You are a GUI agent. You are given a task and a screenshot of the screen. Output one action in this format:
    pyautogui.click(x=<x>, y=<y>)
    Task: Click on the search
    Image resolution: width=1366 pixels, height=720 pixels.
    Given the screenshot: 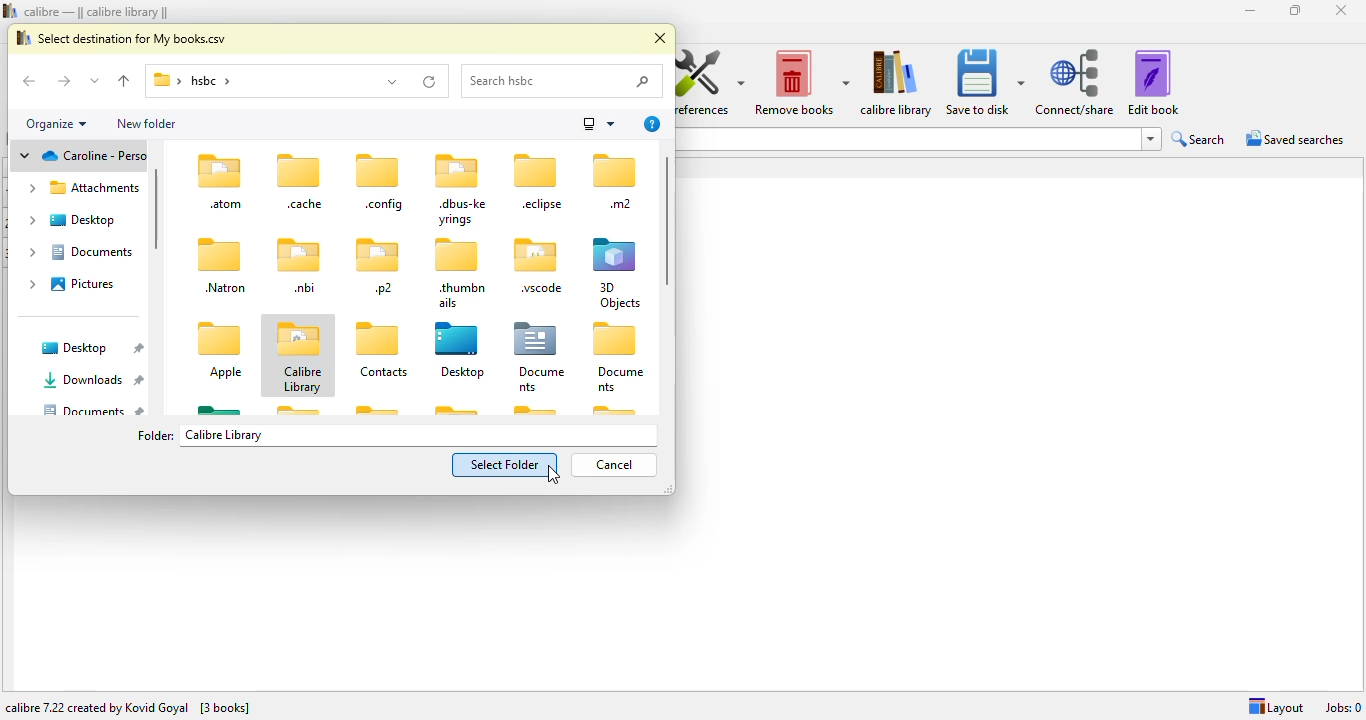 What is the action you would take?
    pyautogui.click(x=564, y=82)
    